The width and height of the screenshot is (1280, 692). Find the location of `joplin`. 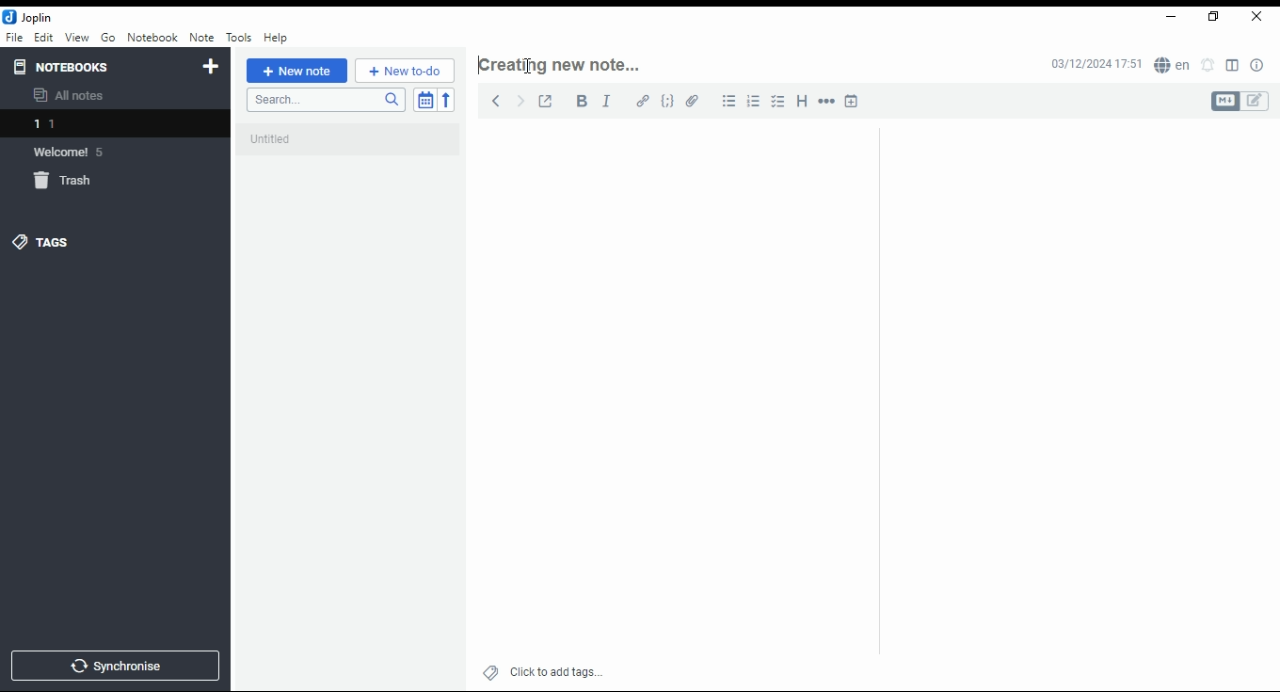

joplin is located at coordinates (29, 17).